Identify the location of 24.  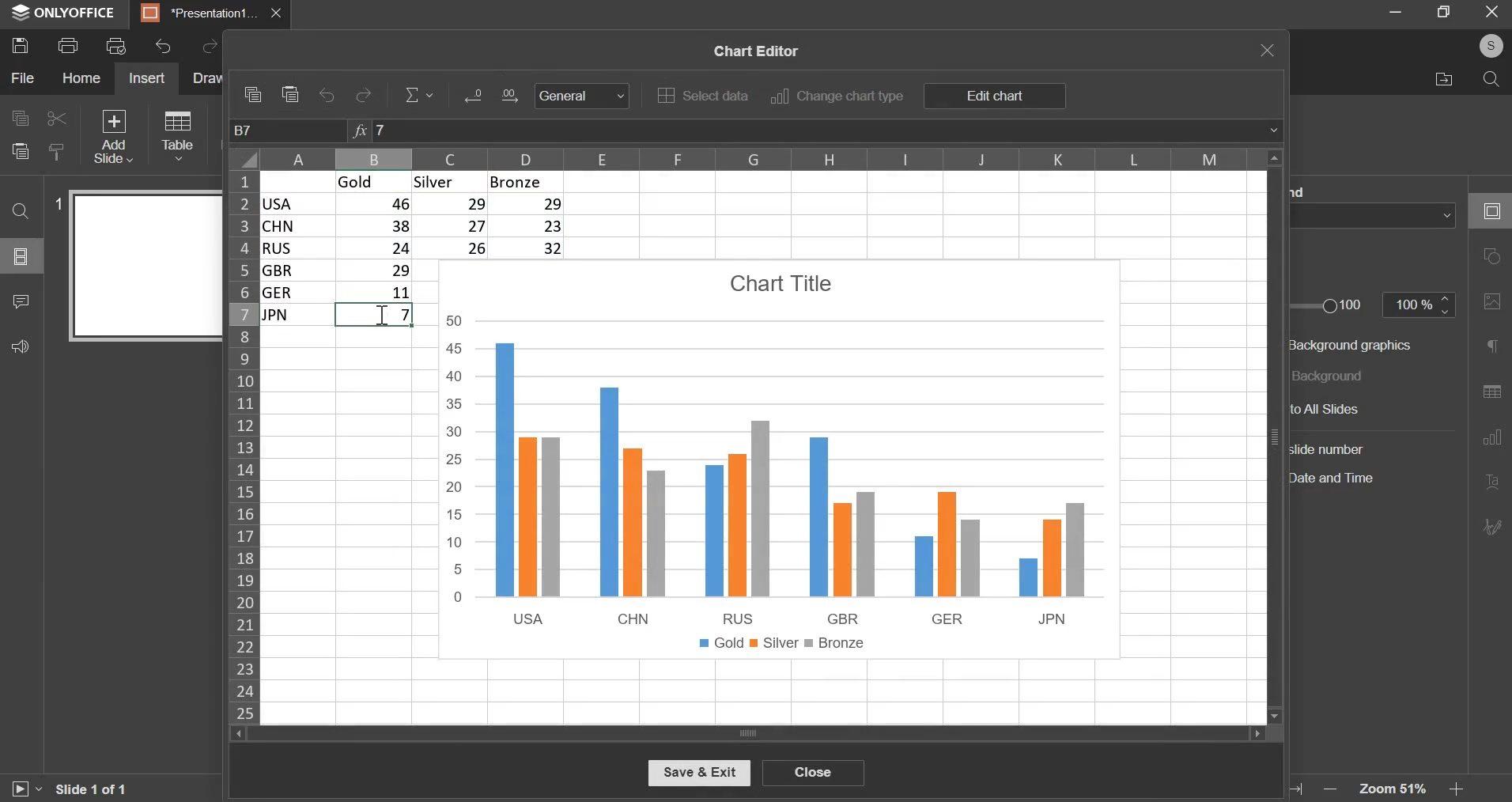
(376, 248).